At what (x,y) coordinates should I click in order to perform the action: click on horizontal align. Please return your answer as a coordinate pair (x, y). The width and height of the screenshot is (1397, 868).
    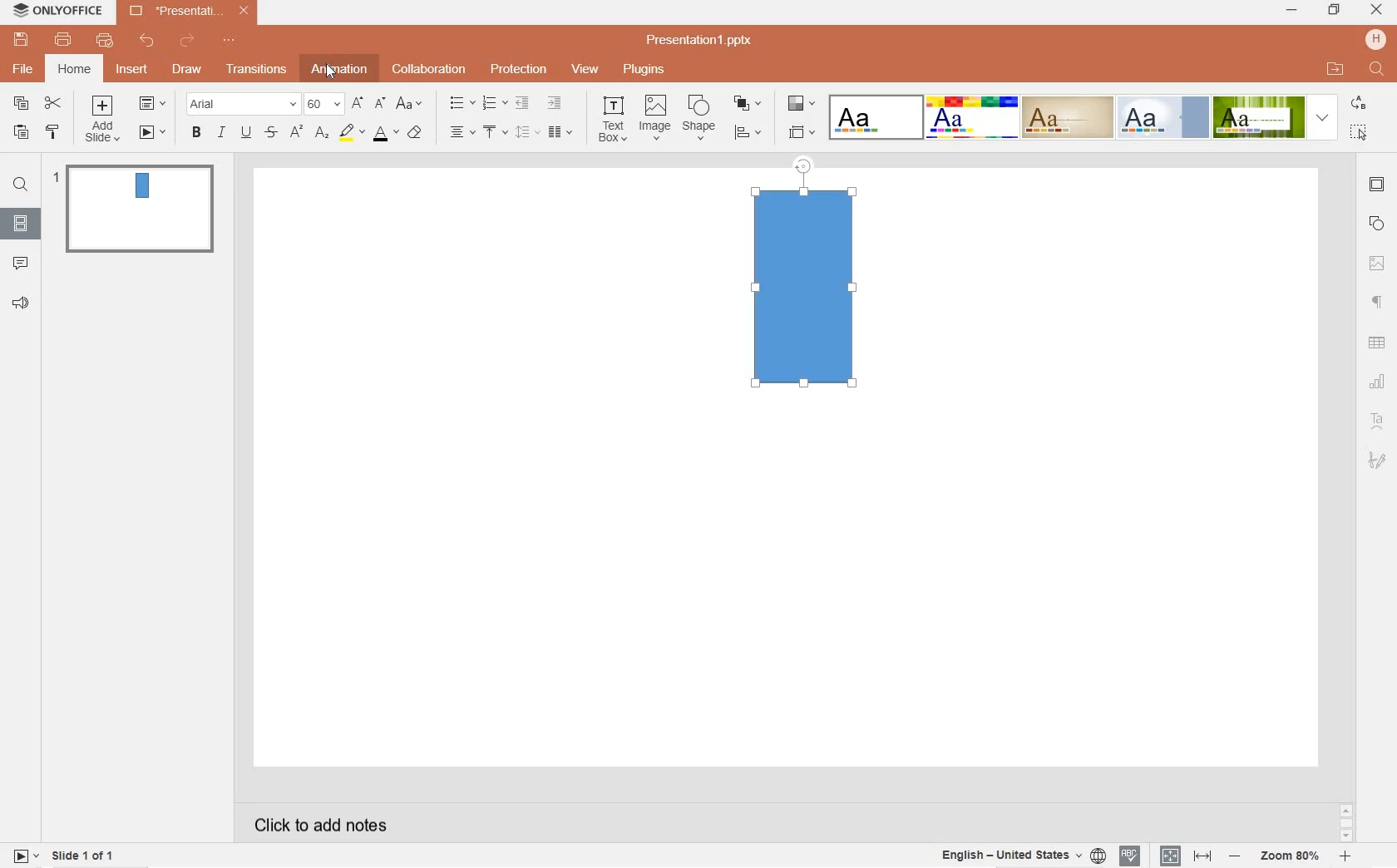
    Looking at the image, I should click on (462, 133).